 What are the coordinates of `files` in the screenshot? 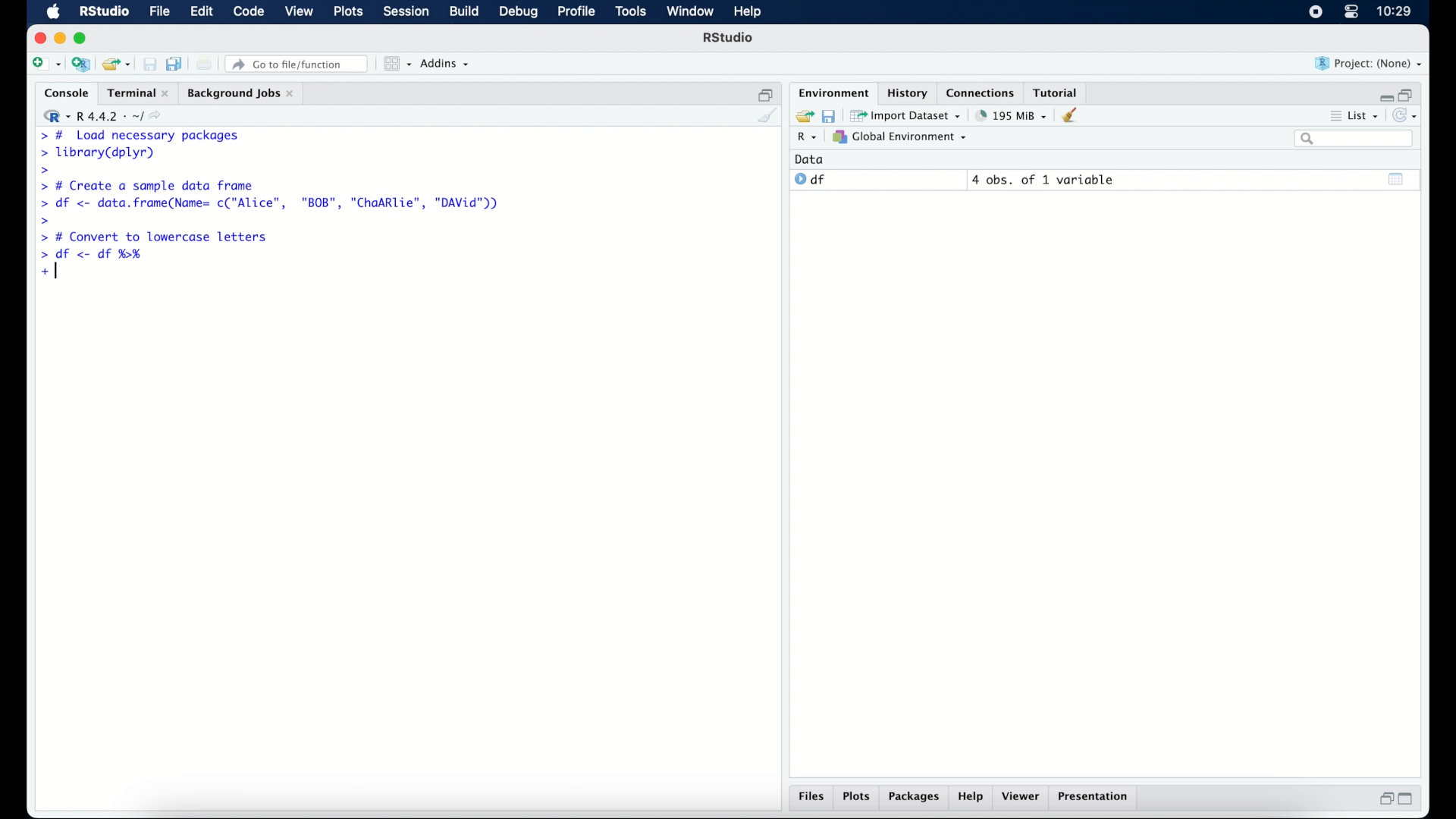 It's located at (811, 799).